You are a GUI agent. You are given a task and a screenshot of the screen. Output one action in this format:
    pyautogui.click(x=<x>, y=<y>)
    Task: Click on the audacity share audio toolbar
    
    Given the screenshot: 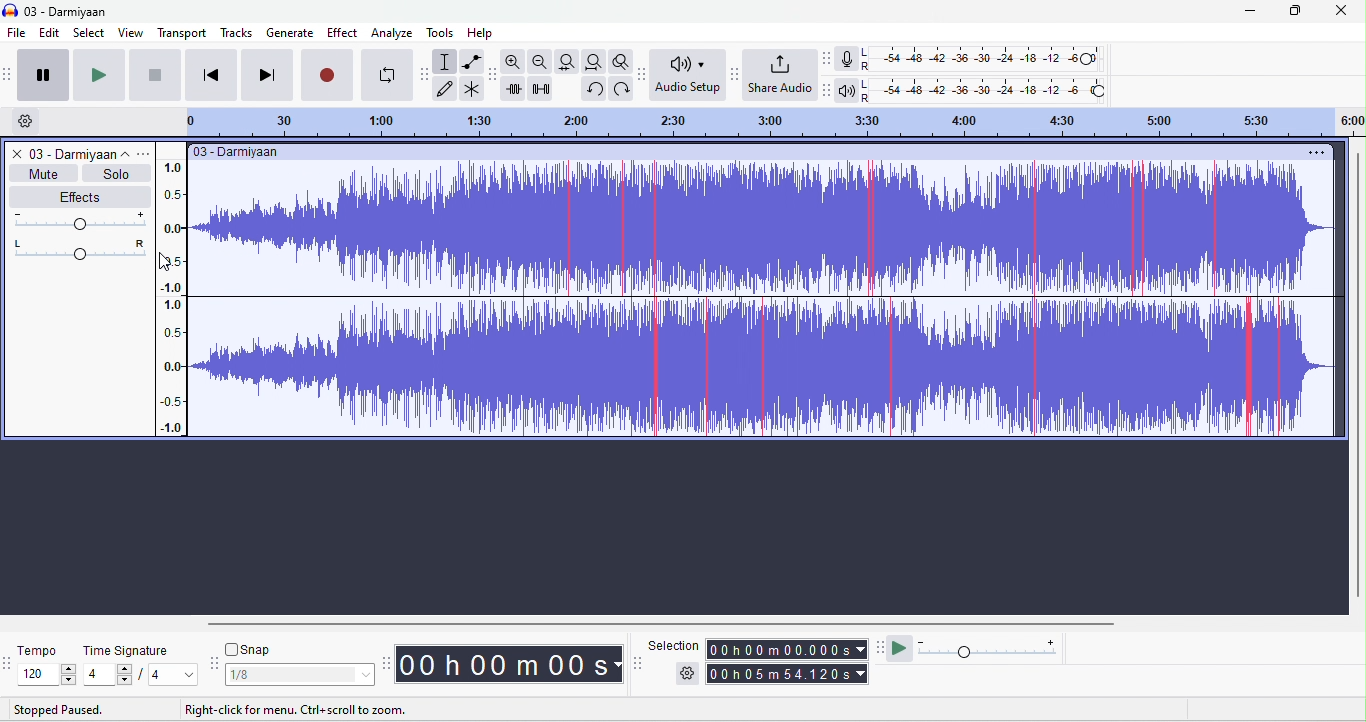 What is the action you would take?
    pyautogui.click(x=734, y=73)
    